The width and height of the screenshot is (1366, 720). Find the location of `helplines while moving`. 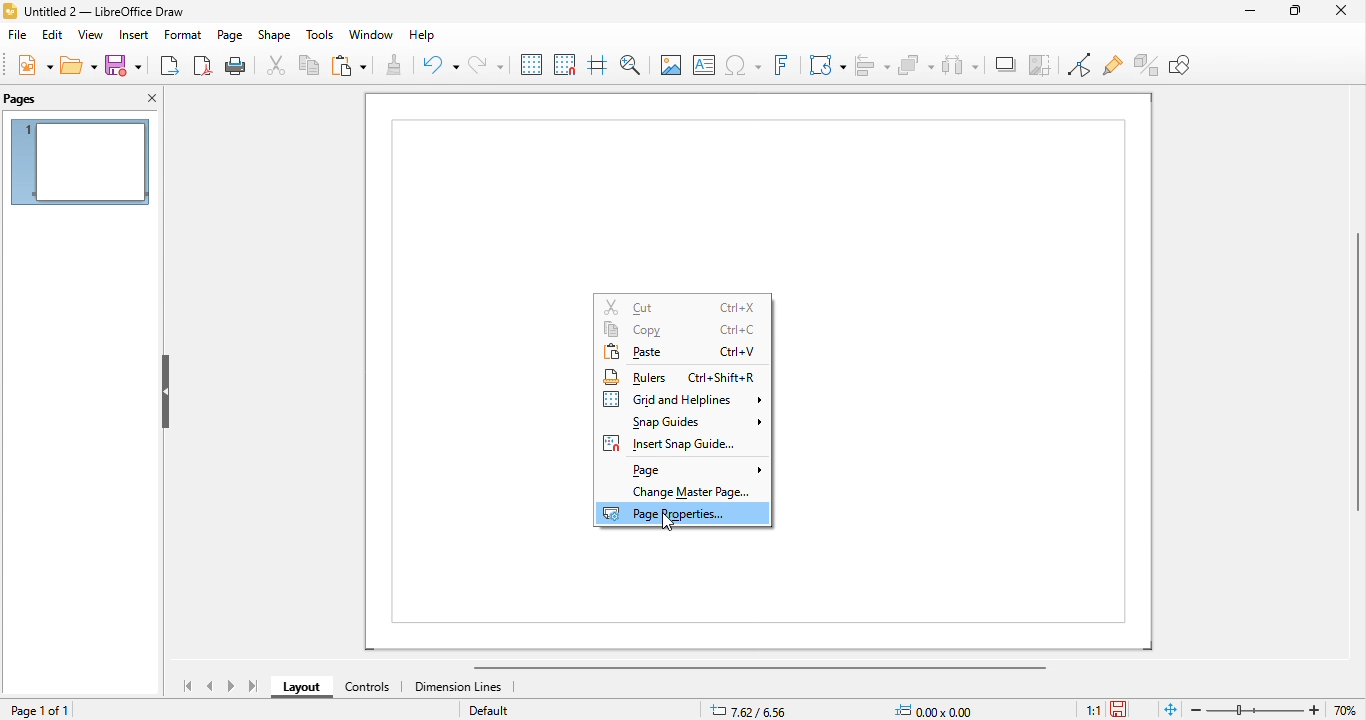

helplines while moving is located at coordinates (595, 65).